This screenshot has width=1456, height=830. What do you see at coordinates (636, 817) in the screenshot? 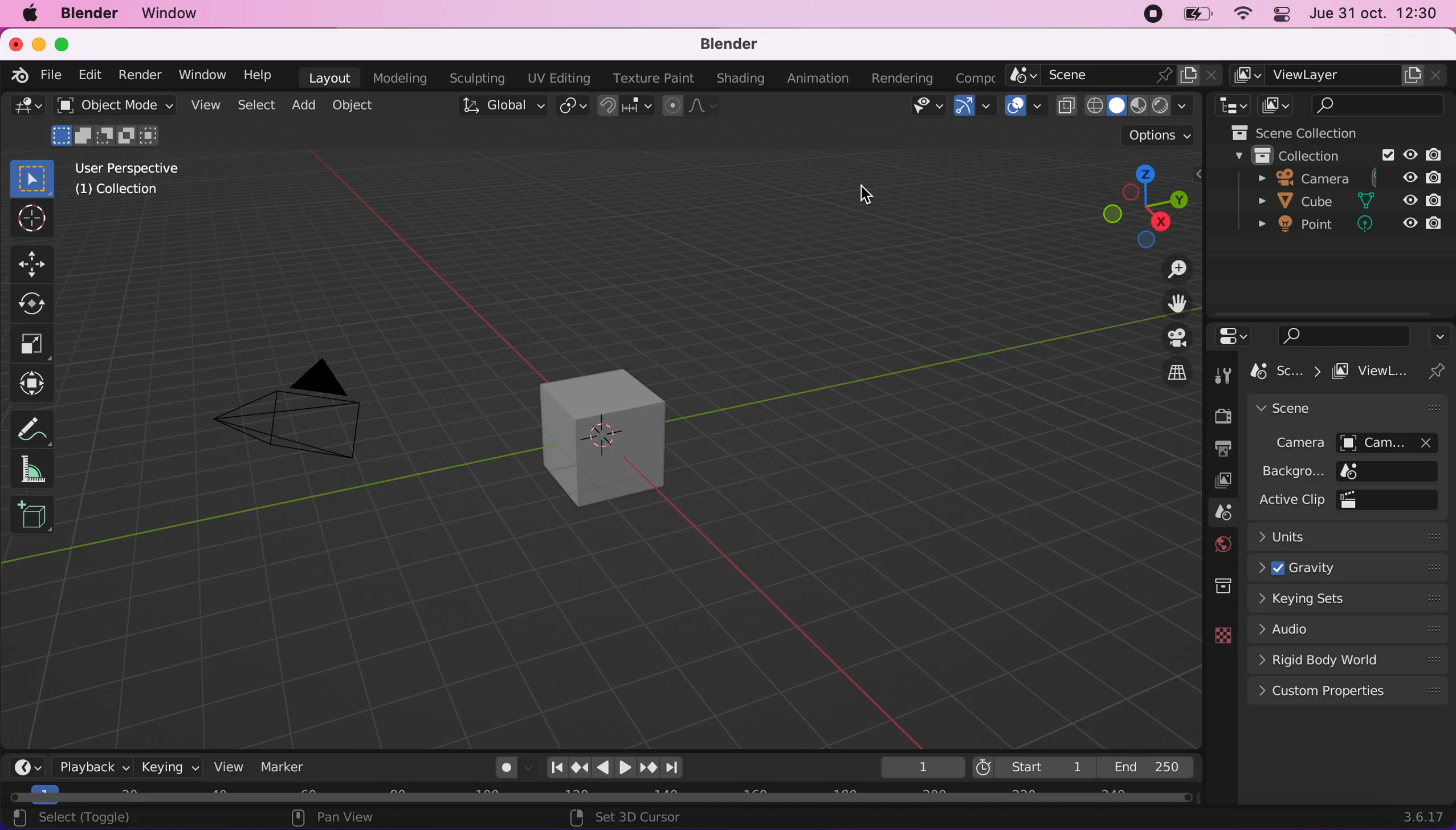
I see `set 3d cursor` at bounding box center [636, 817].